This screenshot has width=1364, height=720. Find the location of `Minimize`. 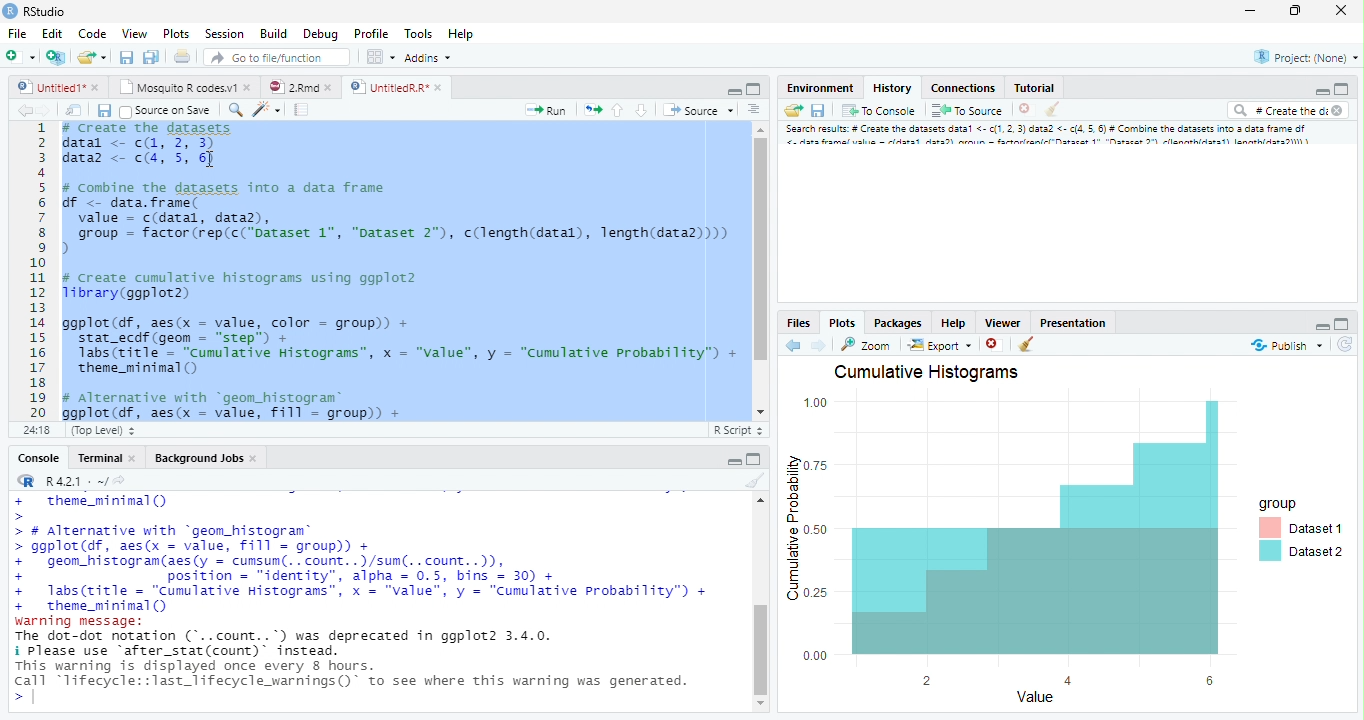

Minimize is located at coordinates (733, 461).